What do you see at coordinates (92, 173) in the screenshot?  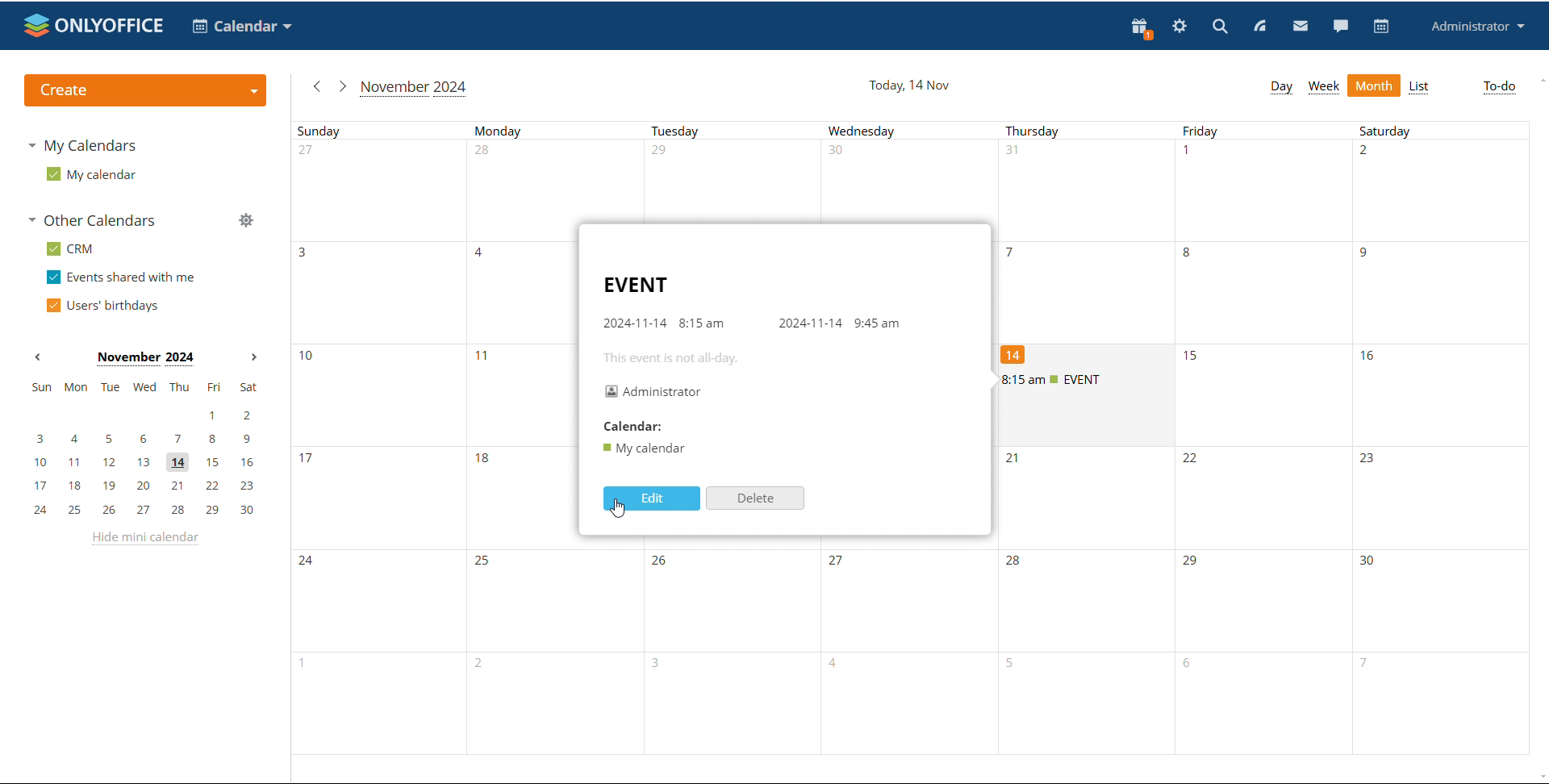 I see `my calendar` at bounding box center [92, 173].